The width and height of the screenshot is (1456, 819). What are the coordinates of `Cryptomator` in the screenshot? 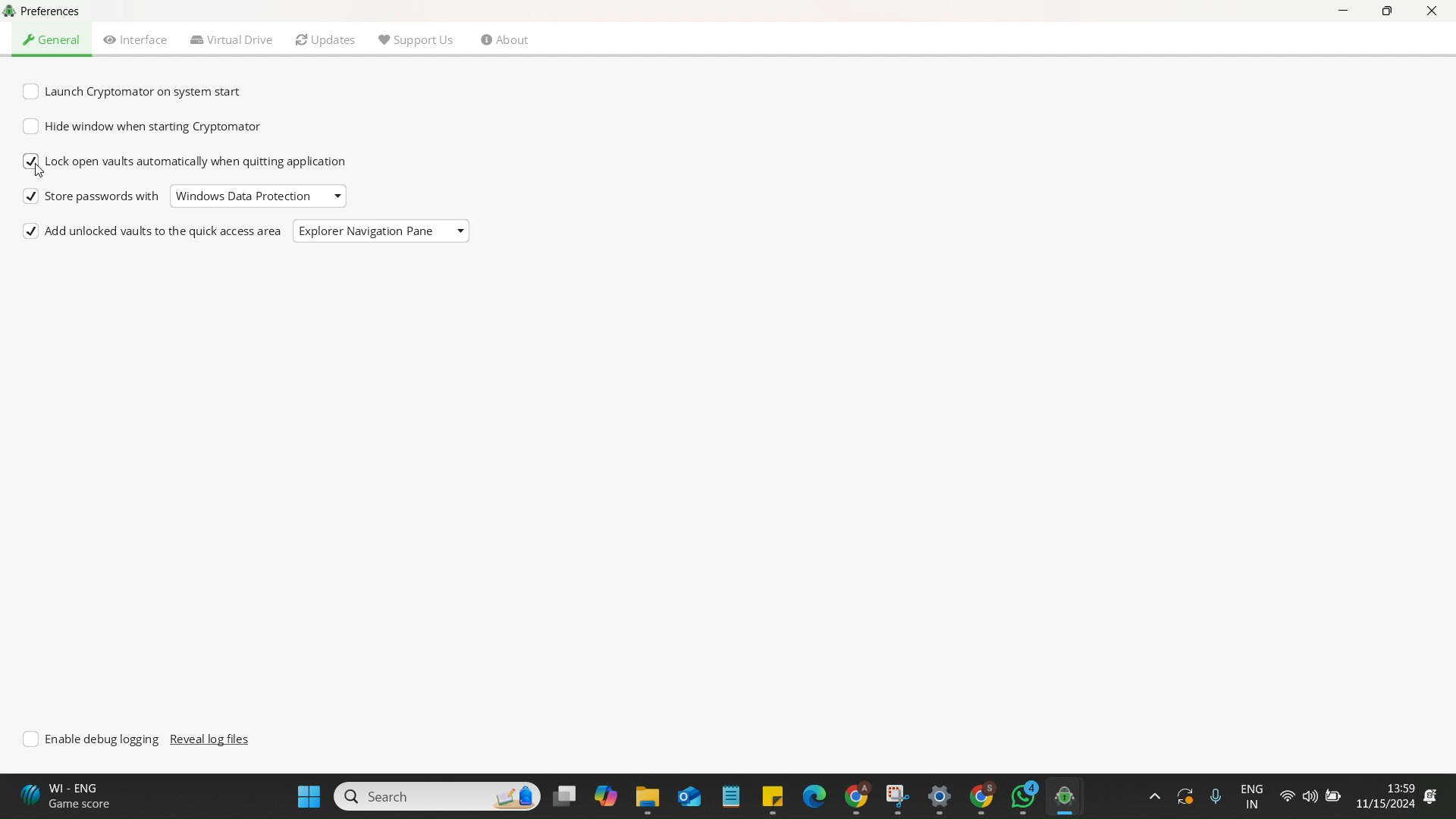 It's located at (1071, 796).